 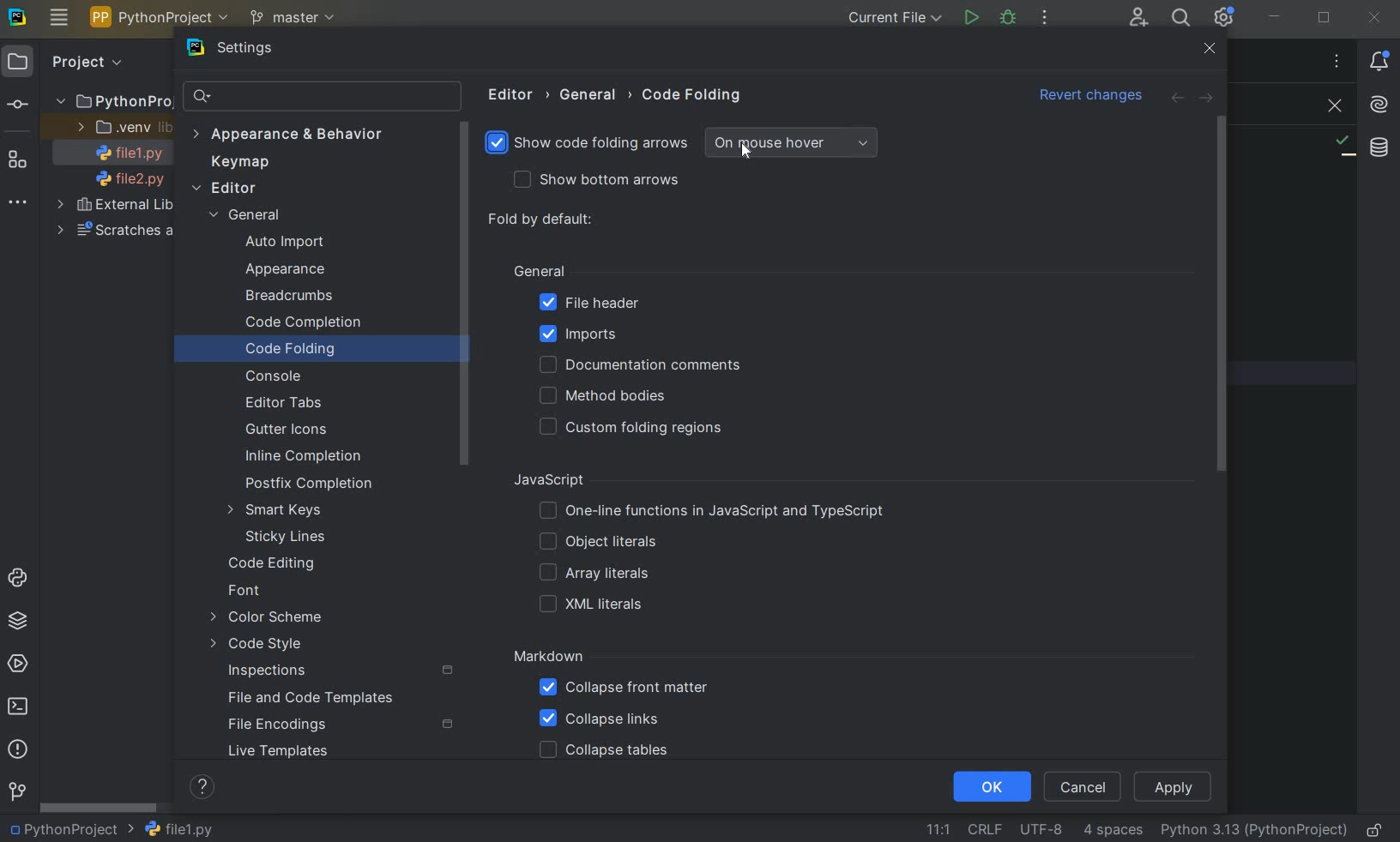 What do you see at coordinates (1253, 831) in the screenshot?
I see `CURRENT INTERPRETER` at bounding box center [1253, 831].